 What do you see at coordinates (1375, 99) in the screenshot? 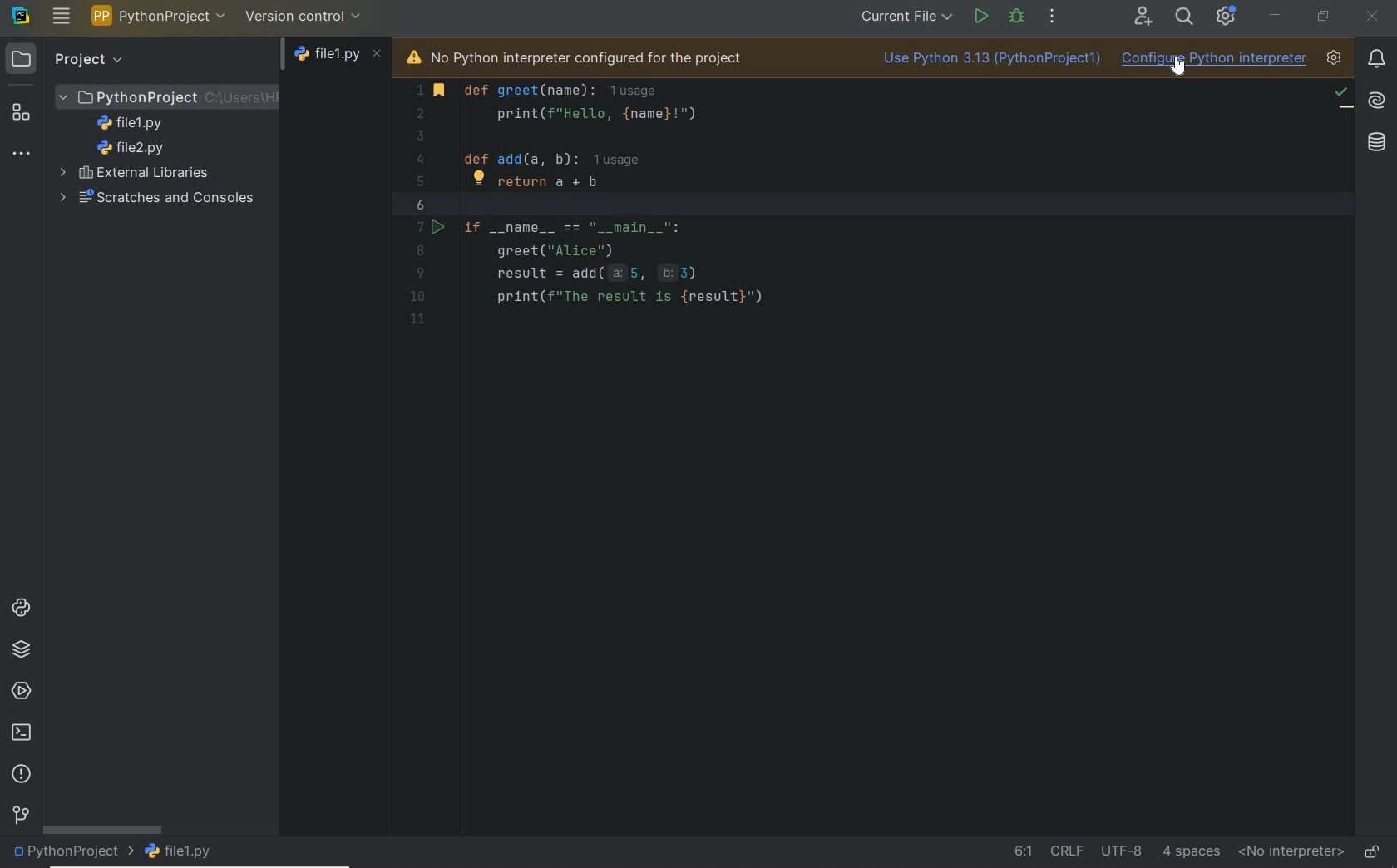
I see `AI Assistant` at bounding box center [1375, 99].